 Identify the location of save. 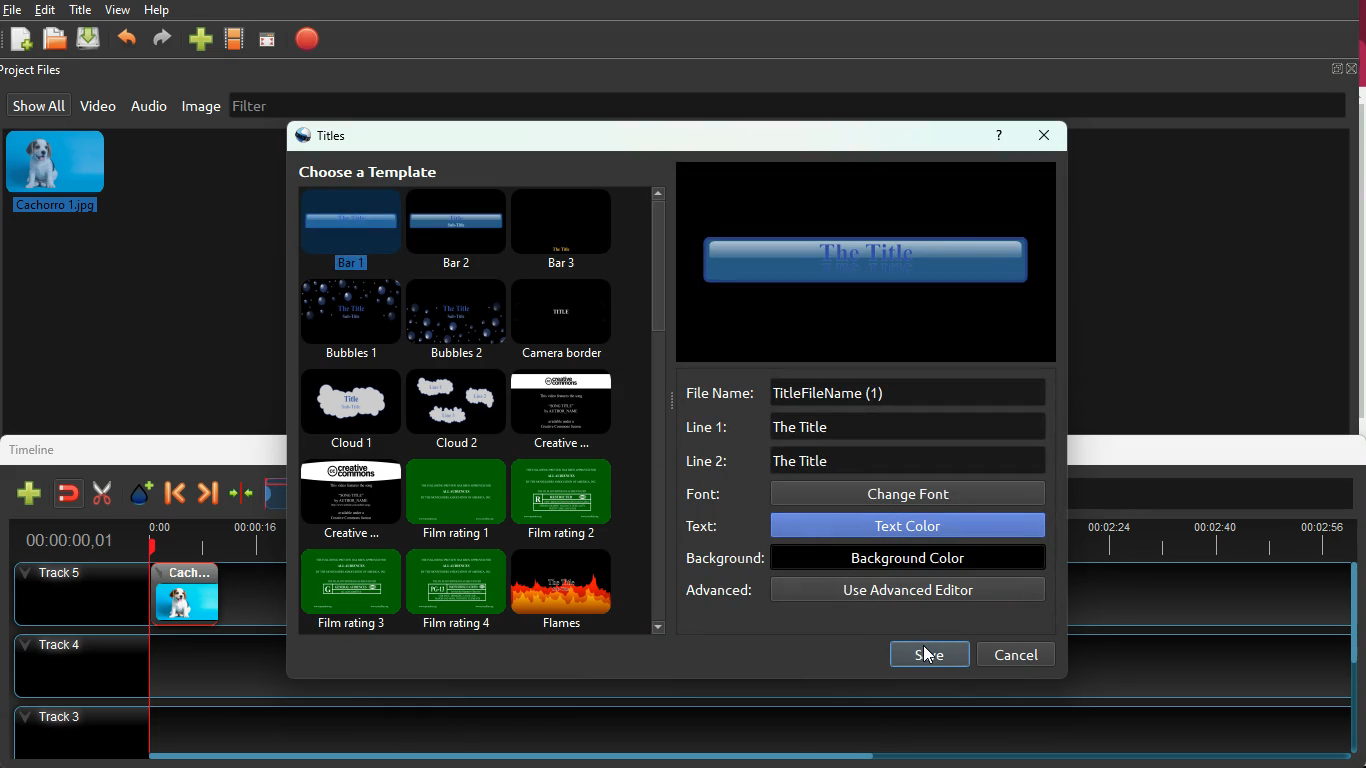
(927, 656).